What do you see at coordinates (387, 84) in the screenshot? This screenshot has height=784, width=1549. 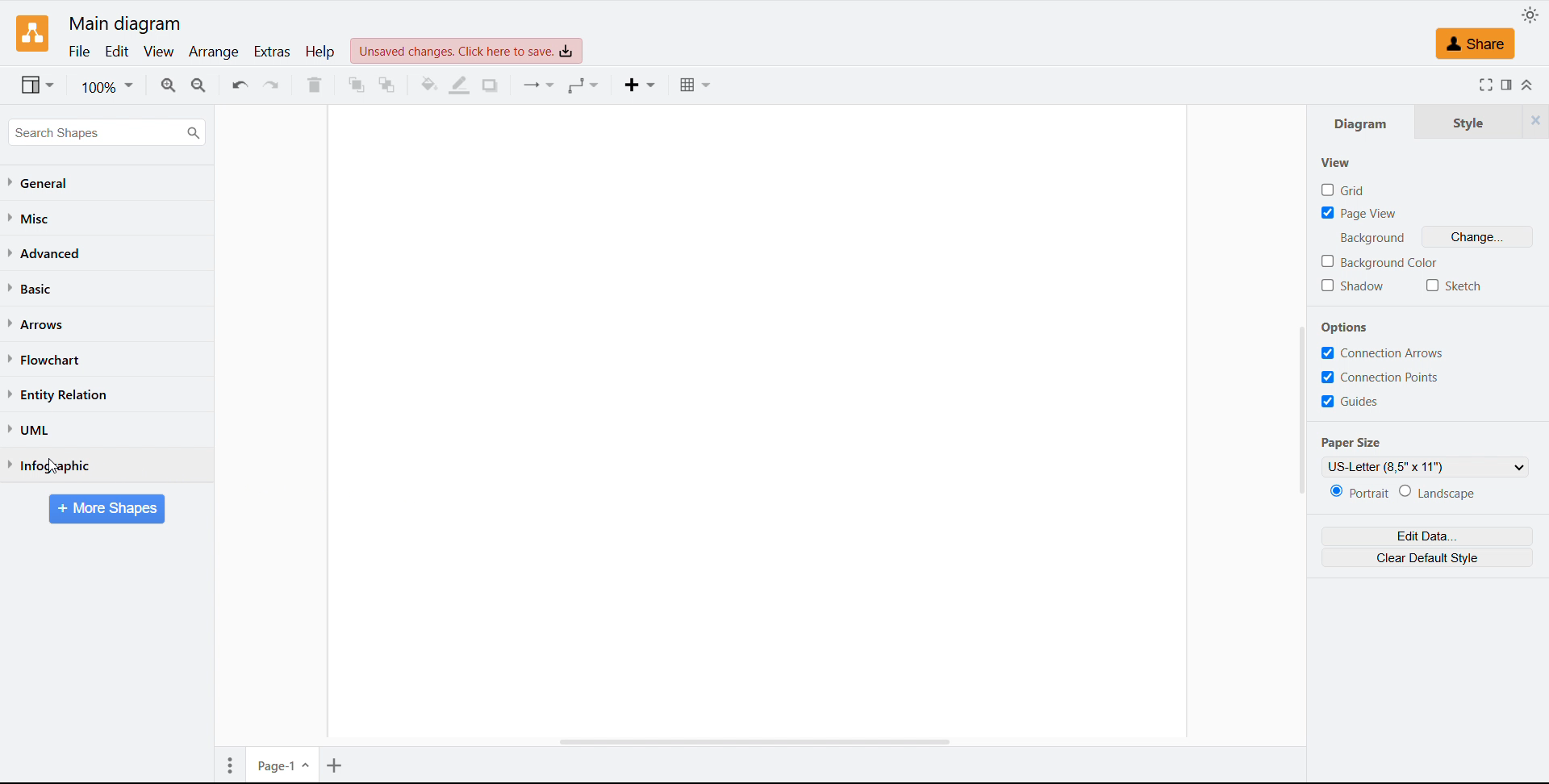 I see `To back ` at bounding box center [387, 84].